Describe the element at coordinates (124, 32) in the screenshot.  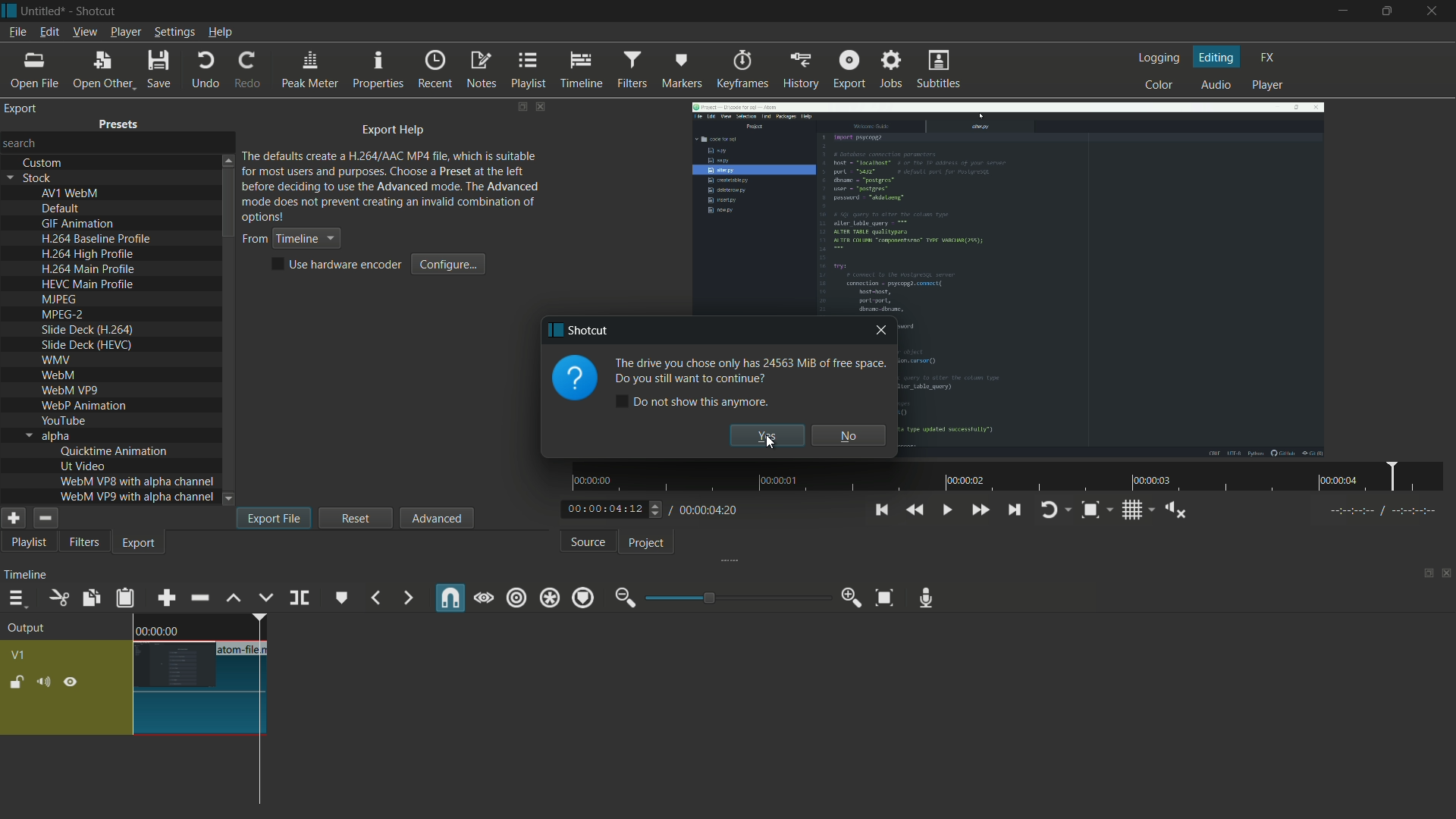
I see `player menu` at that location.